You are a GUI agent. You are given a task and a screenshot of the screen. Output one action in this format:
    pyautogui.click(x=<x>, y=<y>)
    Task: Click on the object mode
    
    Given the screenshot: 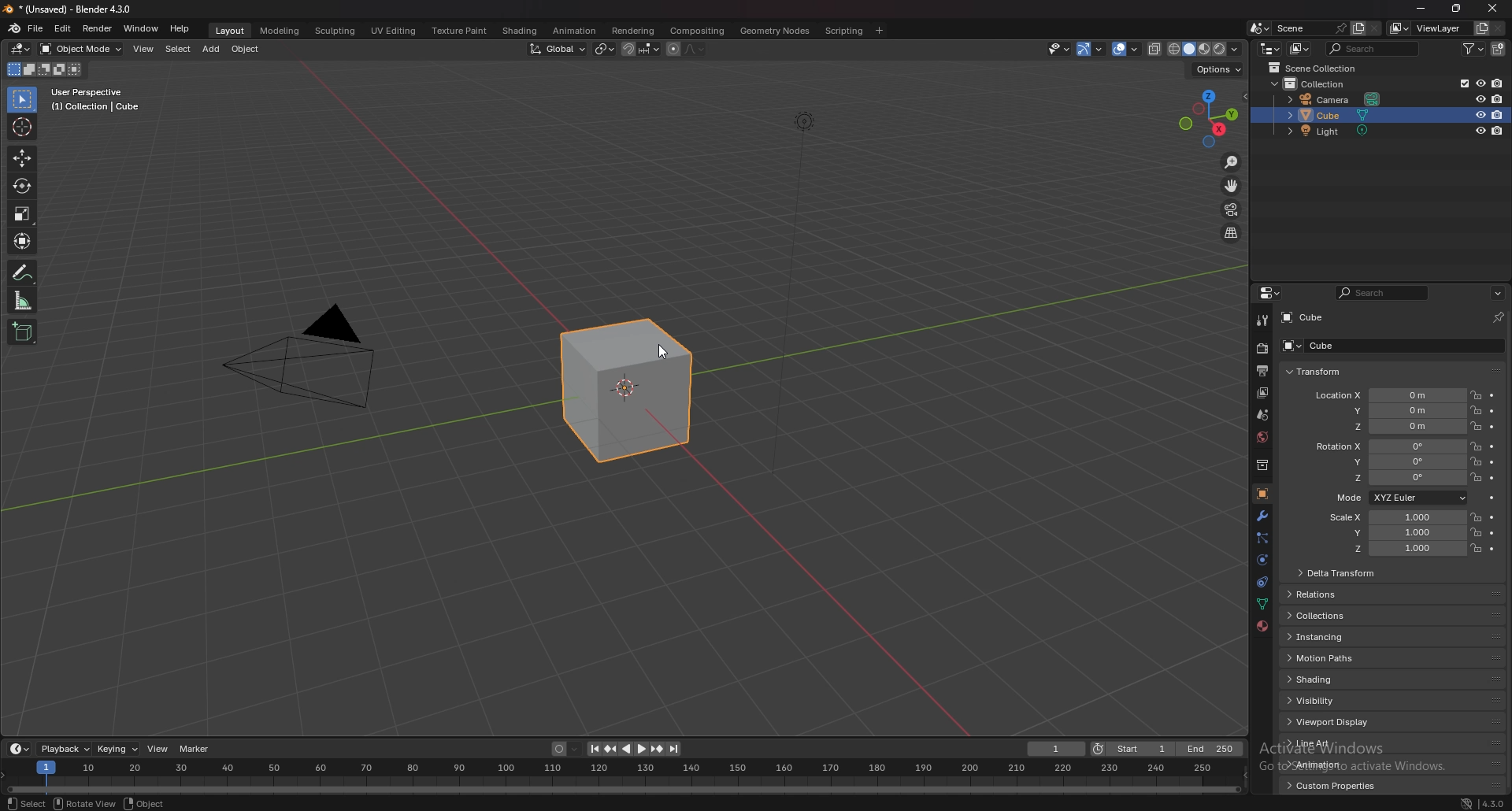 What is the action you would take?
    pyautogui.click(x=81, y=49)
    